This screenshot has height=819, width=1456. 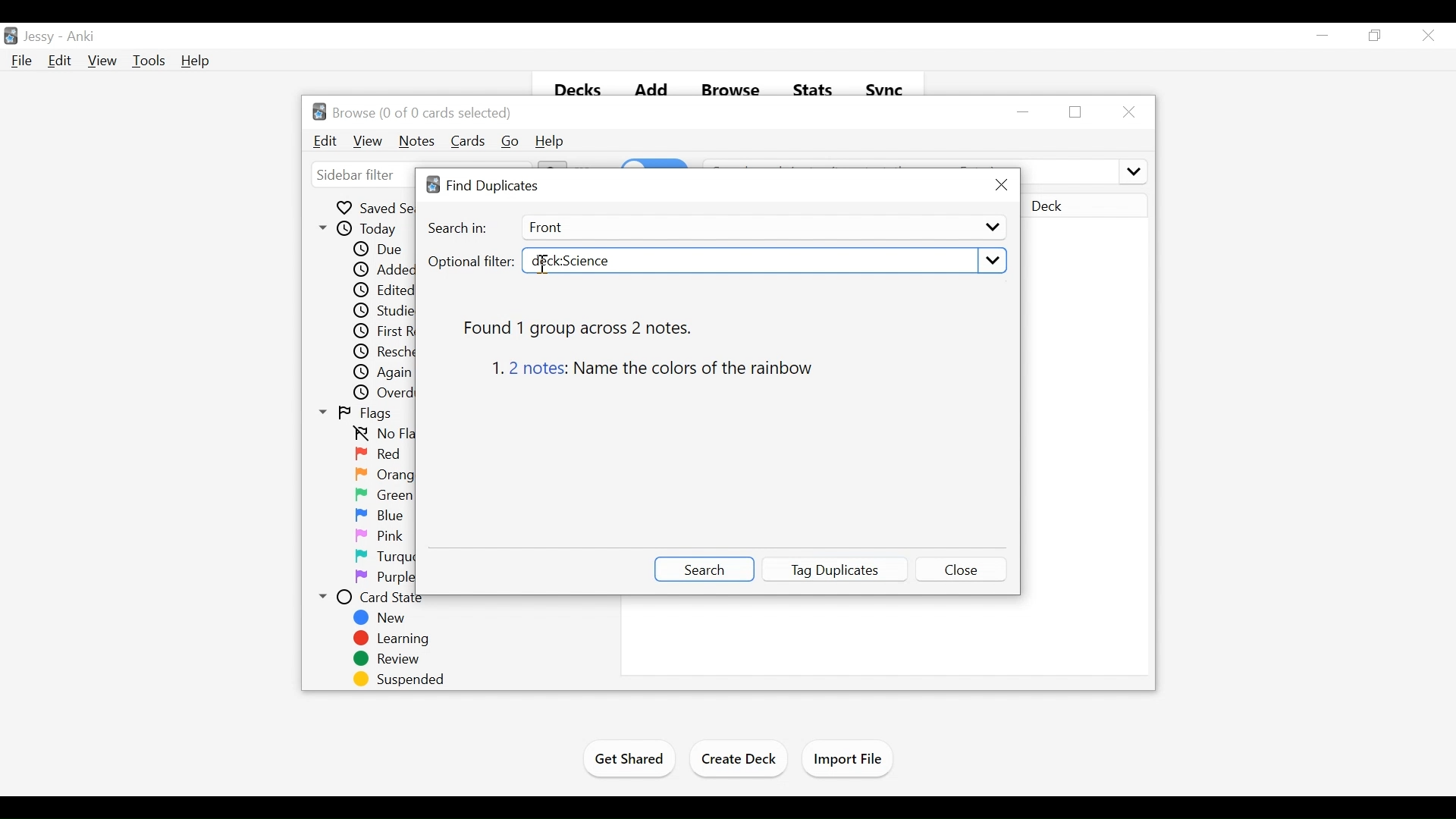 I want to click on Insertion cursor, so click(x=542, y=269).